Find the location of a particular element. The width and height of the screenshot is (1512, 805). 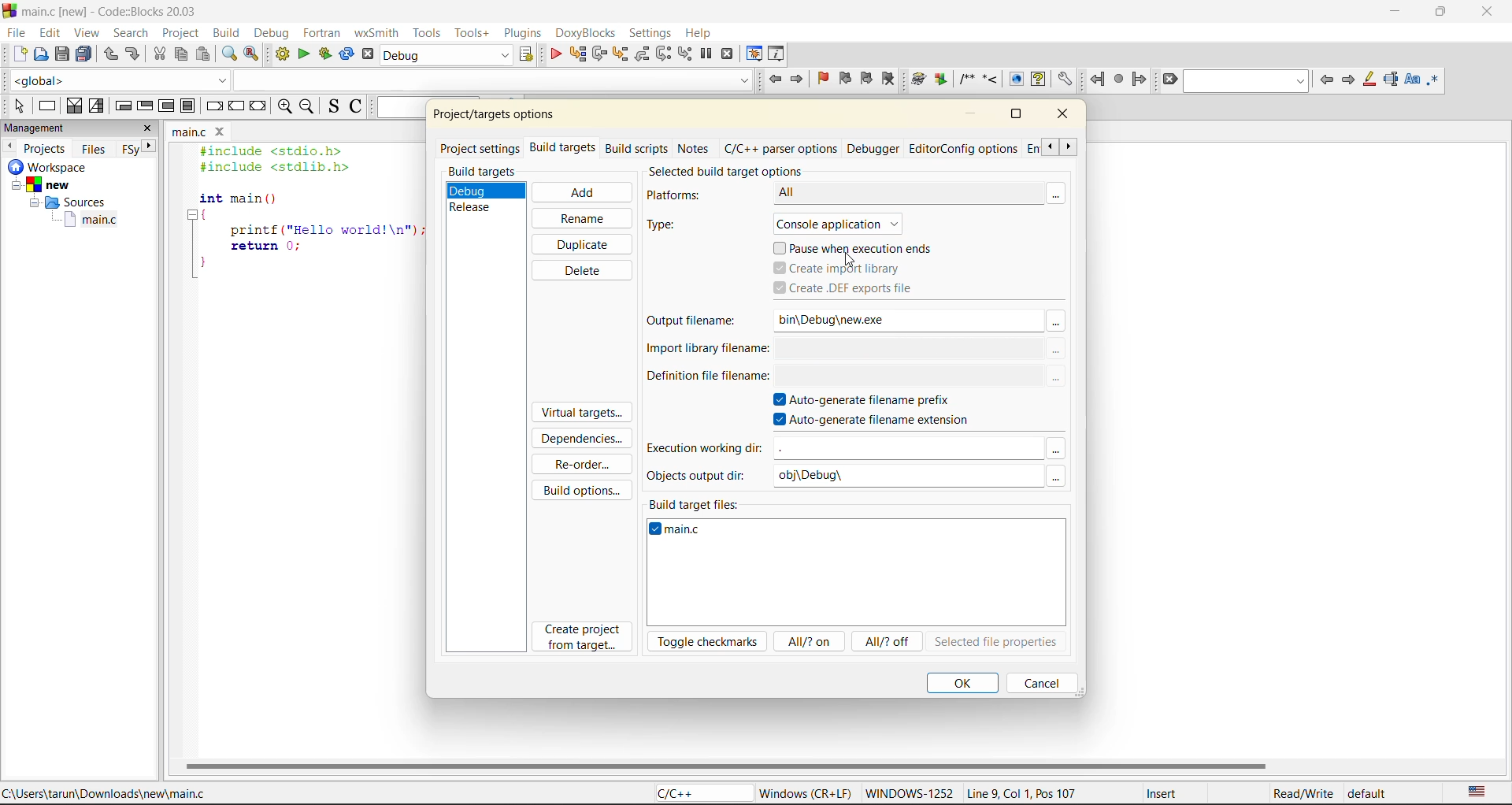

select is located at coordinates (15, 103).